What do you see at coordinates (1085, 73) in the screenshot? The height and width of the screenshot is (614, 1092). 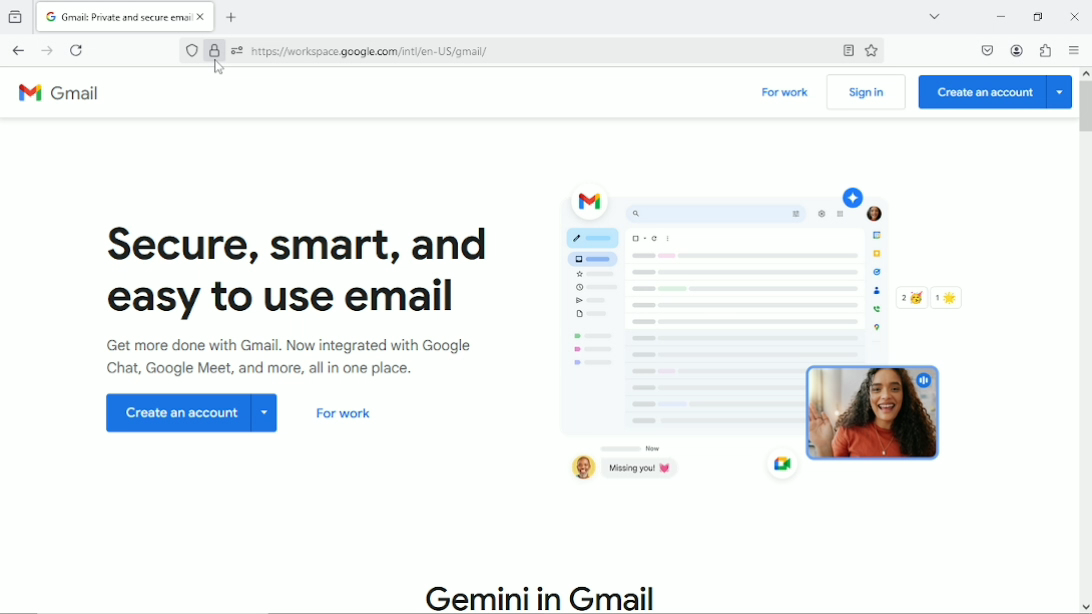 I see `move up` at bounding box center [1085, 73].